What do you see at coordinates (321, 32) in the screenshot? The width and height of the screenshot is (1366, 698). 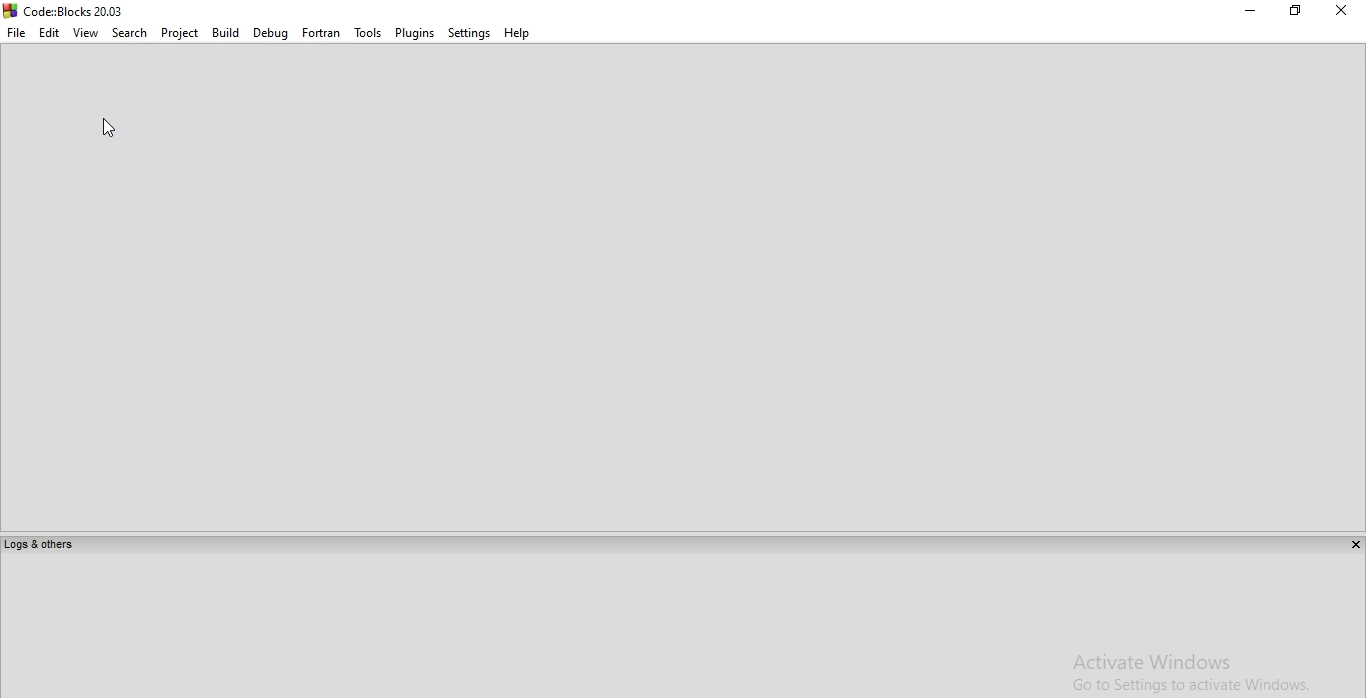 I see `Fortran` at bounding box center [321, 32].